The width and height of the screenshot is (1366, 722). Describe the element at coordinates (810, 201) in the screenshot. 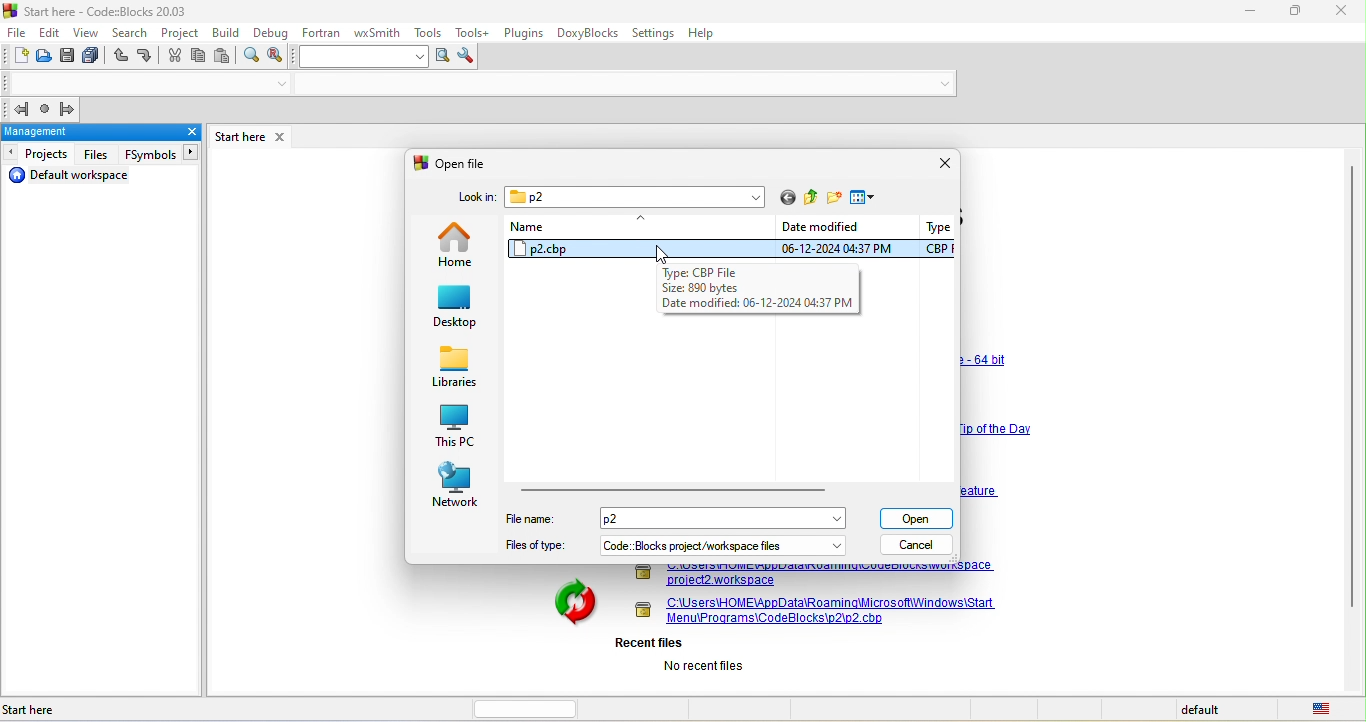

I see `up one level` at that location.